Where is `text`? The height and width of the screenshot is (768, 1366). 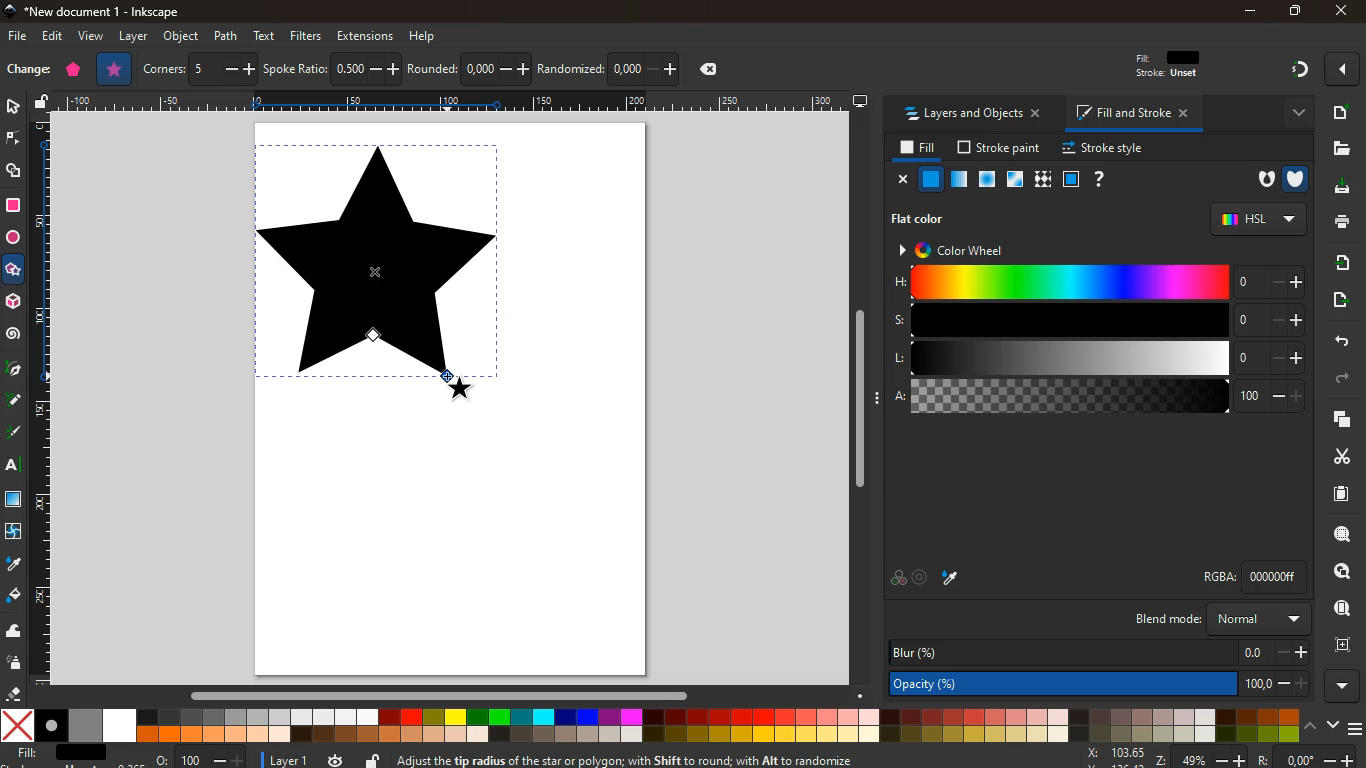 text is located at coordinates (266, 36).